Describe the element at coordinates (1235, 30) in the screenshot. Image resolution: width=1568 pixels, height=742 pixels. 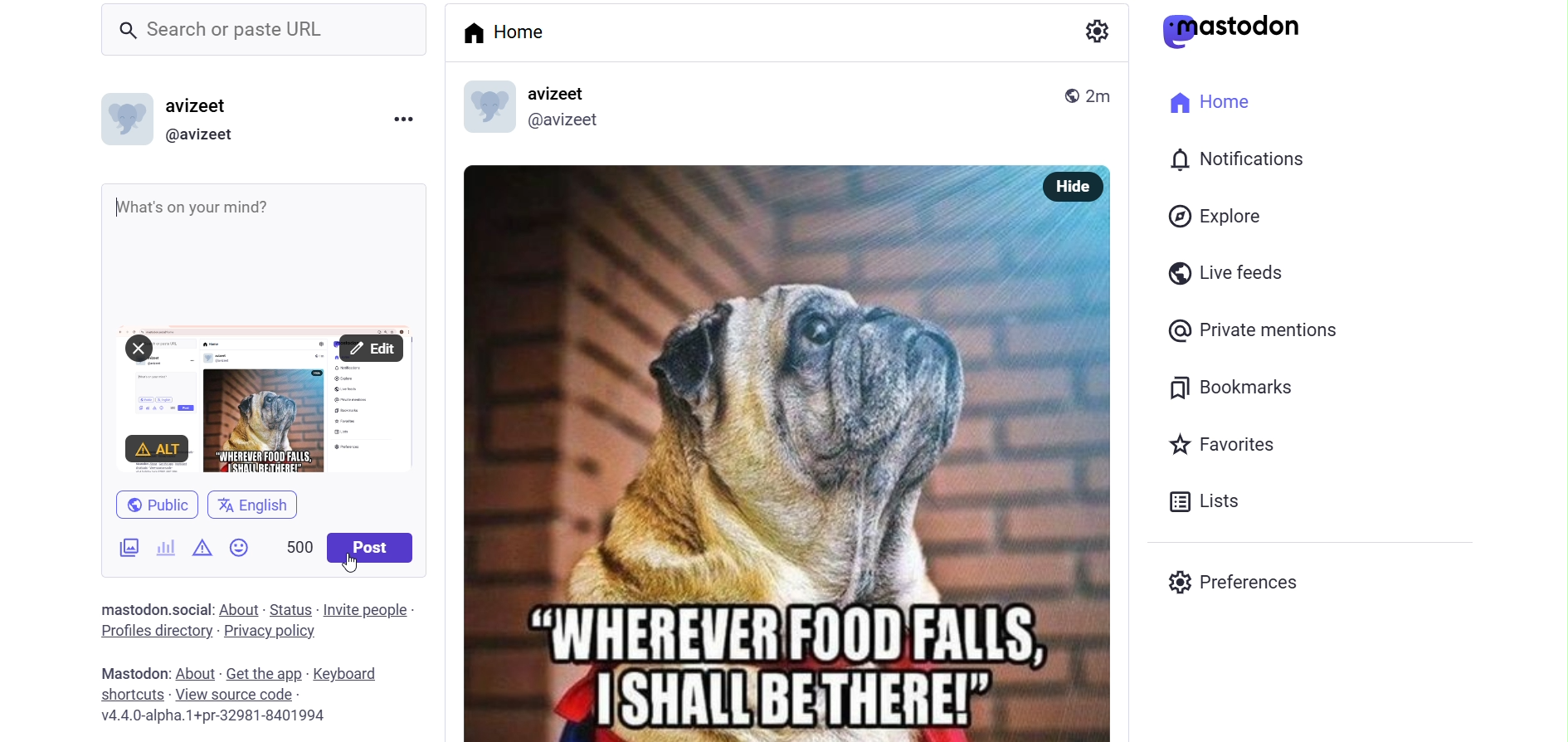
I see `mastodon` at that location.